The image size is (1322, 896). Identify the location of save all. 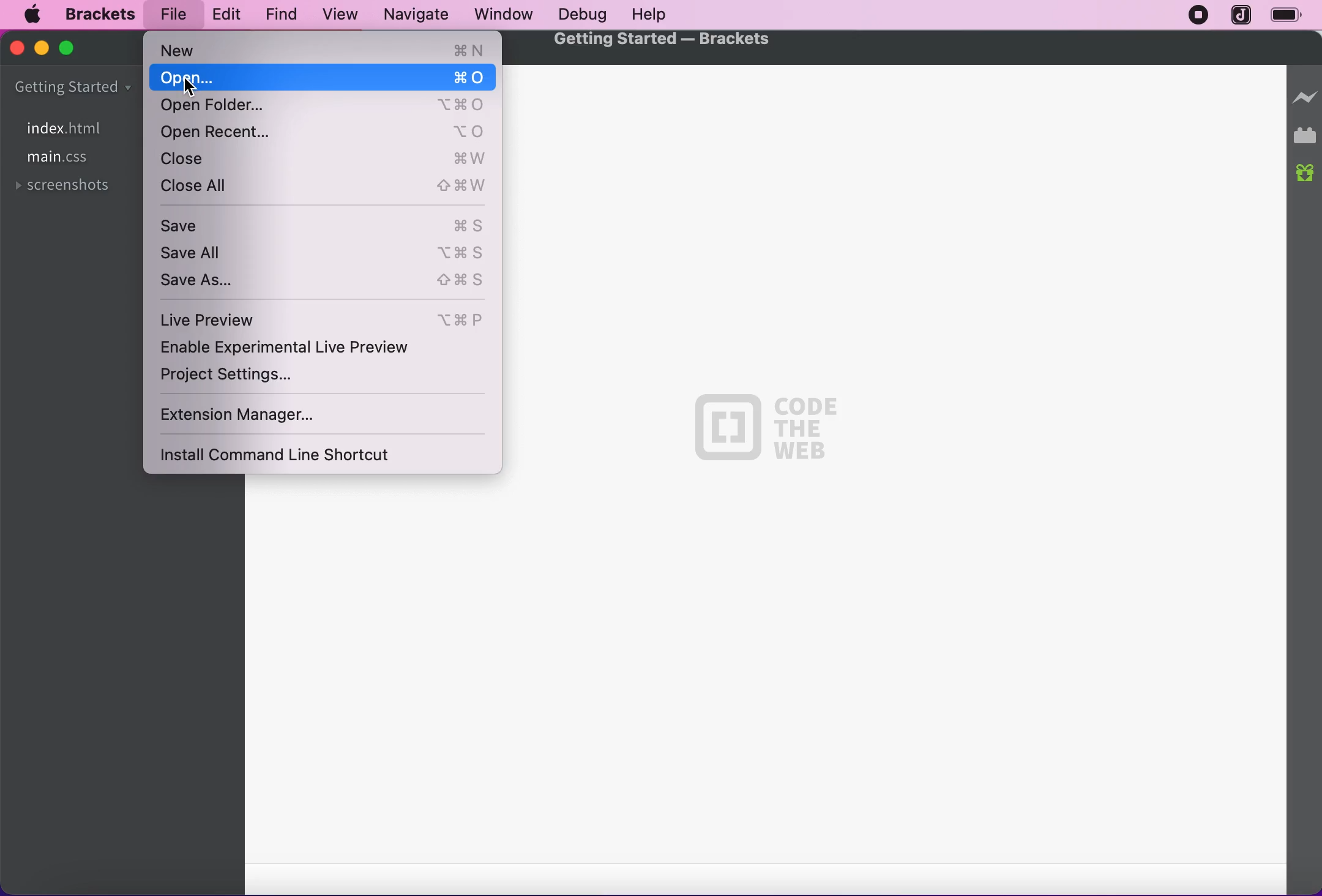
(325, 253).